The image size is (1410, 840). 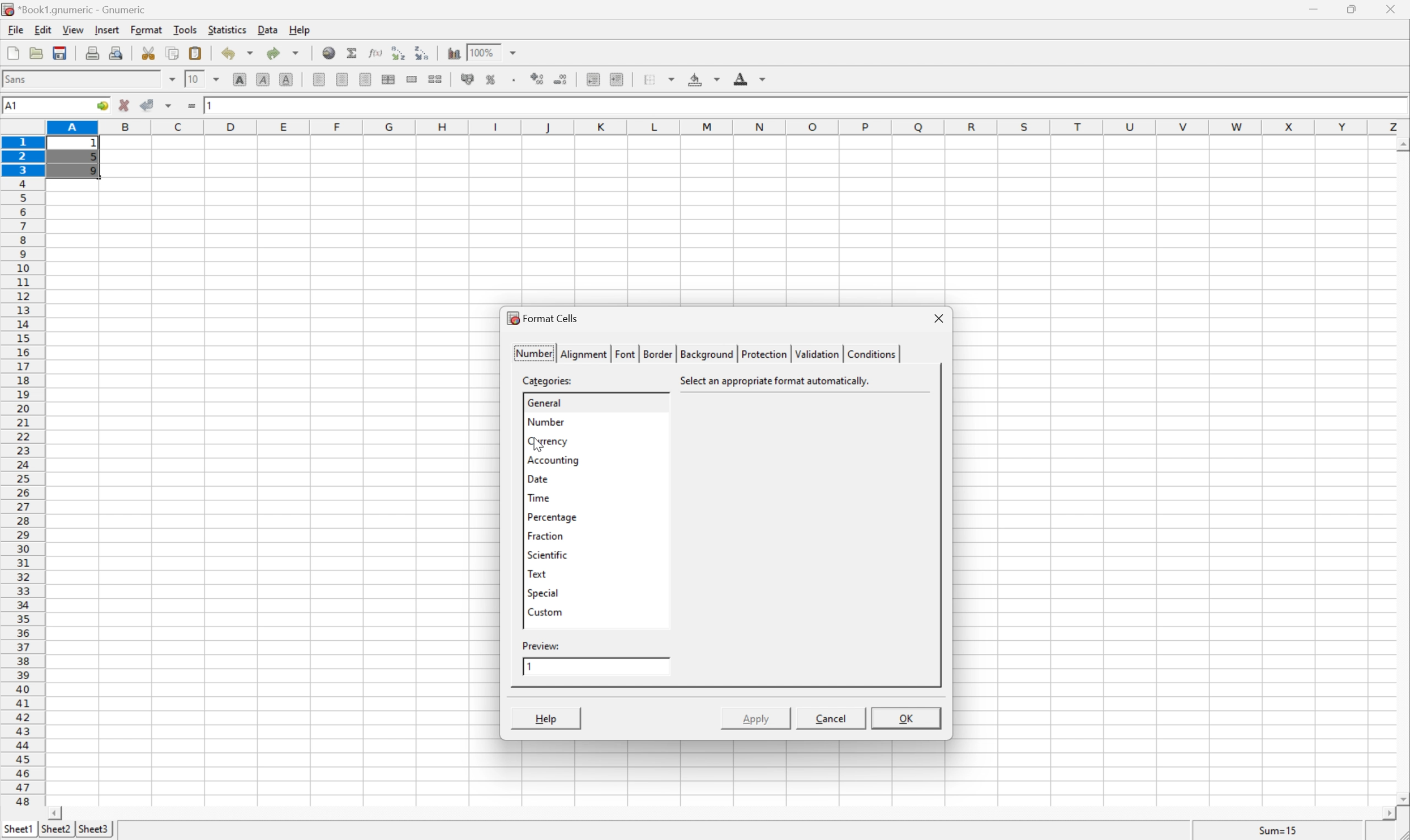 What do you see at coordinates (320, 79) in the screenshot?
I see `align left` at bounding box center [320, 79].